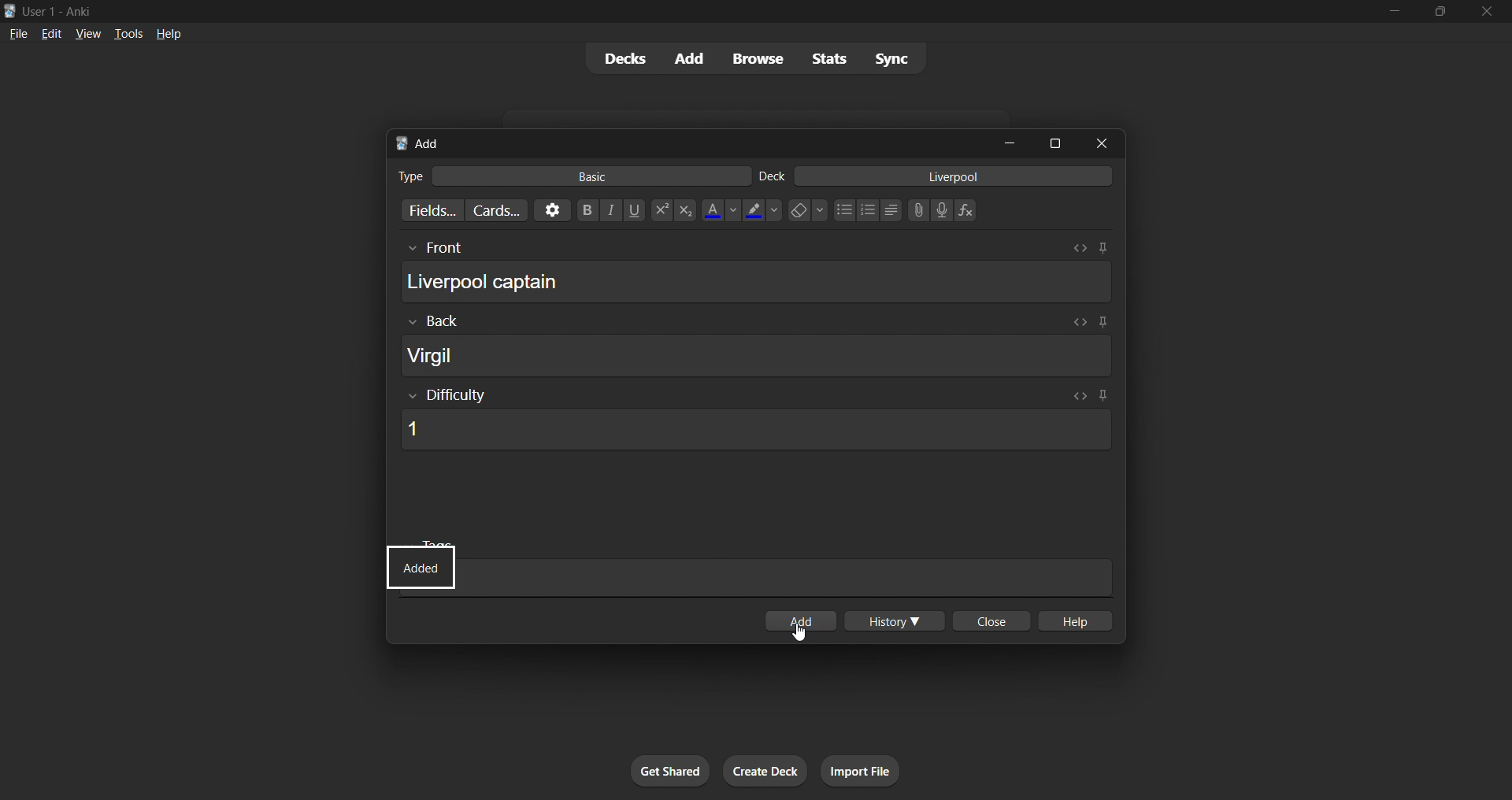 Image resolution: width=1512 pixels, height=800 pixels. Describe the element at coordinates (891, 210) in the screenshot. I see `Alignment` at that location.